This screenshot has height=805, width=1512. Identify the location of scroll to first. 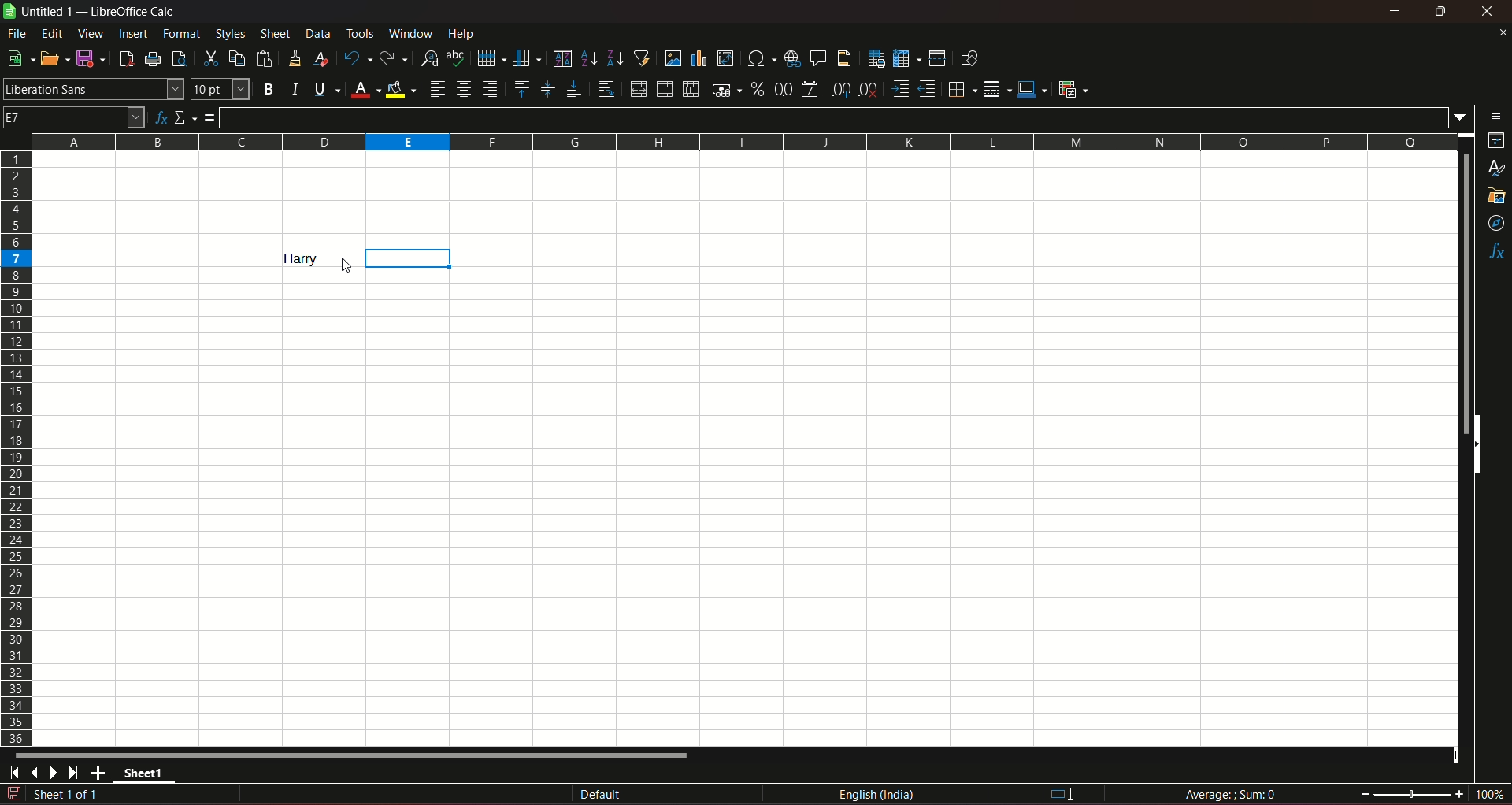
(9, 775).